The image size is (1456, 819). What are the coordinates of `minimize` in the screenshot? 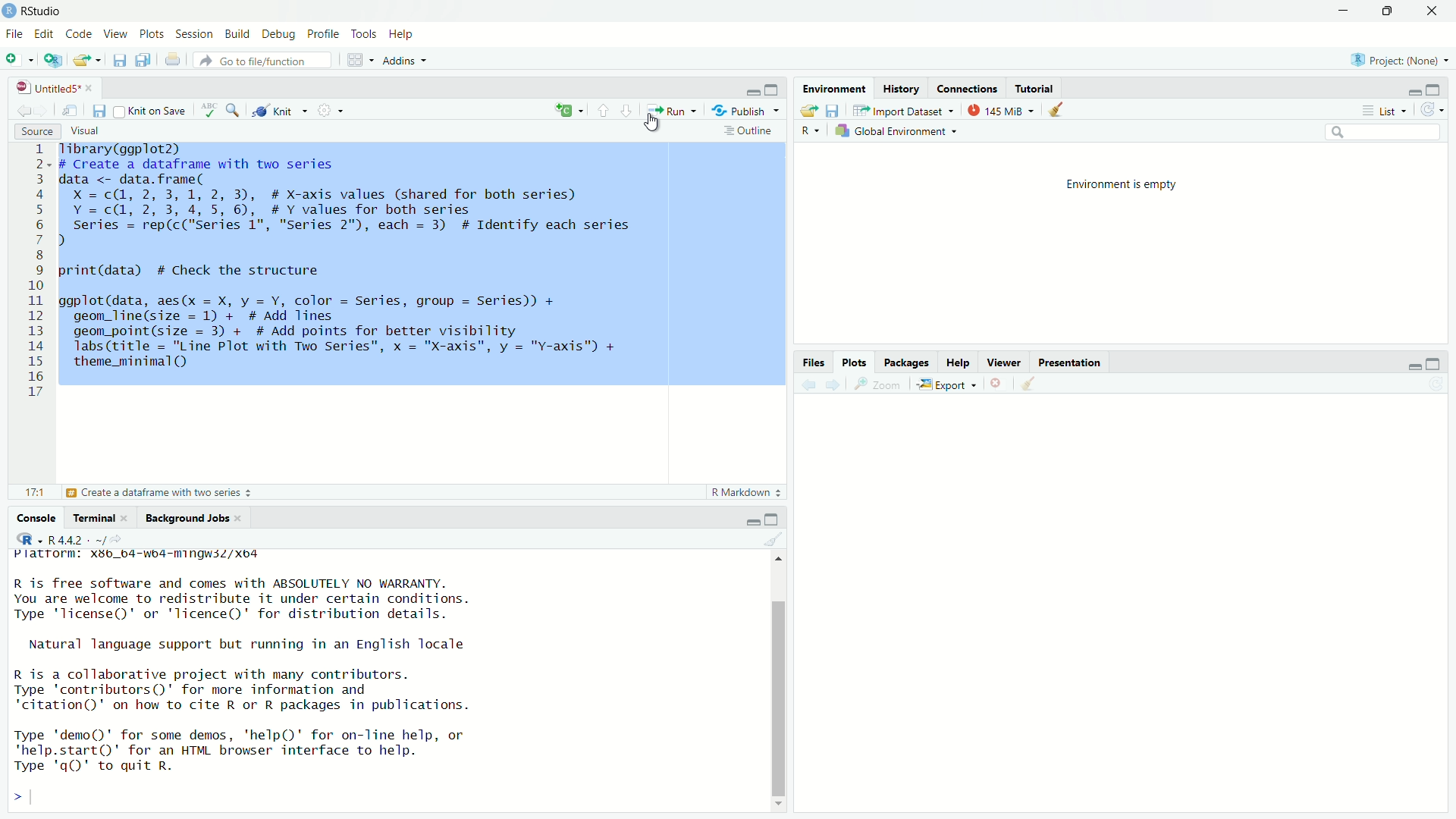 It's located at (1412, 366).